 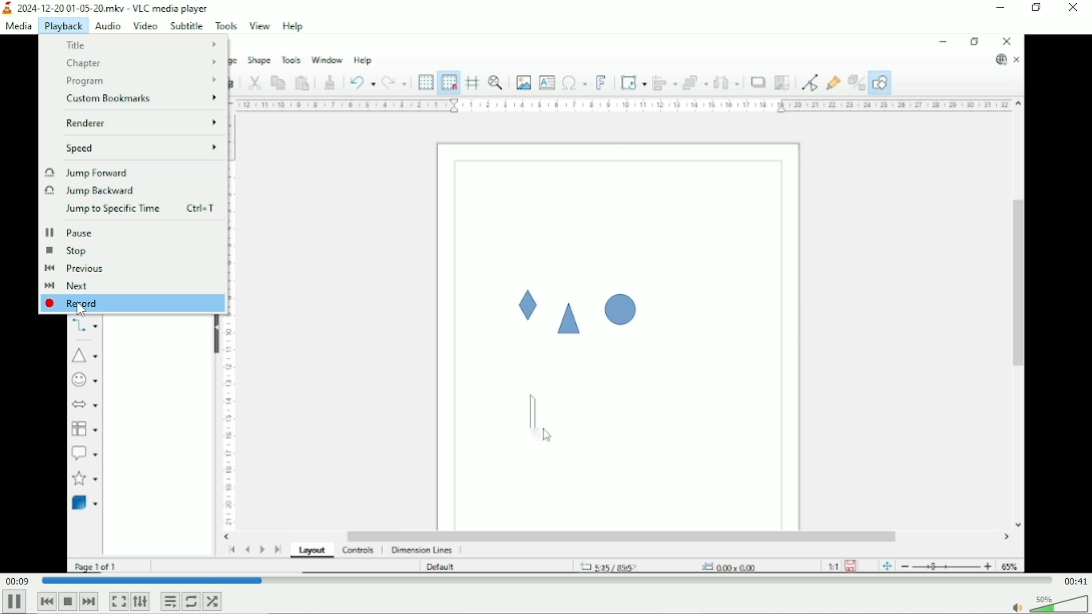 I want to click on Subtitle, so click(x=186, y=25).